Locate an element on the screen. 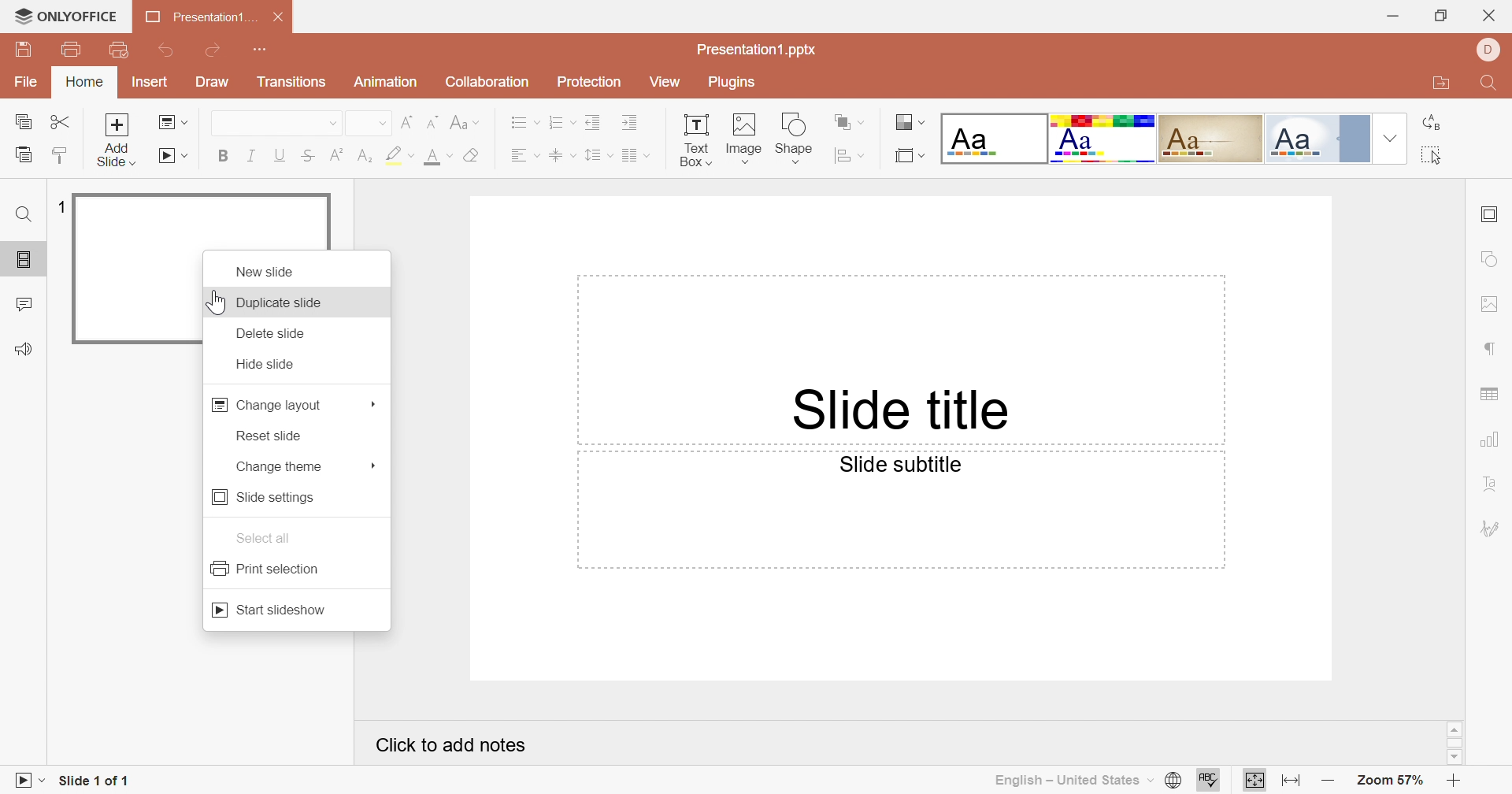 This screenshot has height=794, width=1512. Classic is located at coordinates (1214, 138).